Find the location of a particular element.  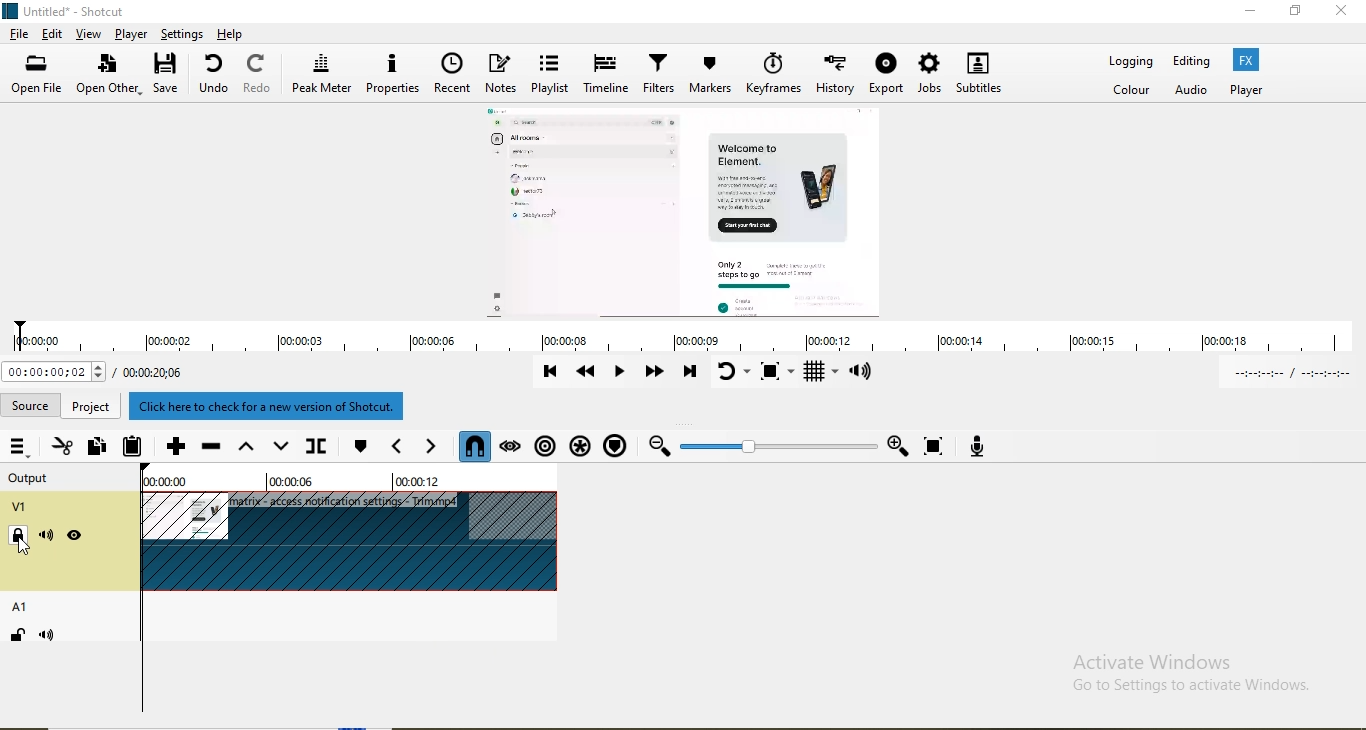

Hide is located at coordinates (77, 536).